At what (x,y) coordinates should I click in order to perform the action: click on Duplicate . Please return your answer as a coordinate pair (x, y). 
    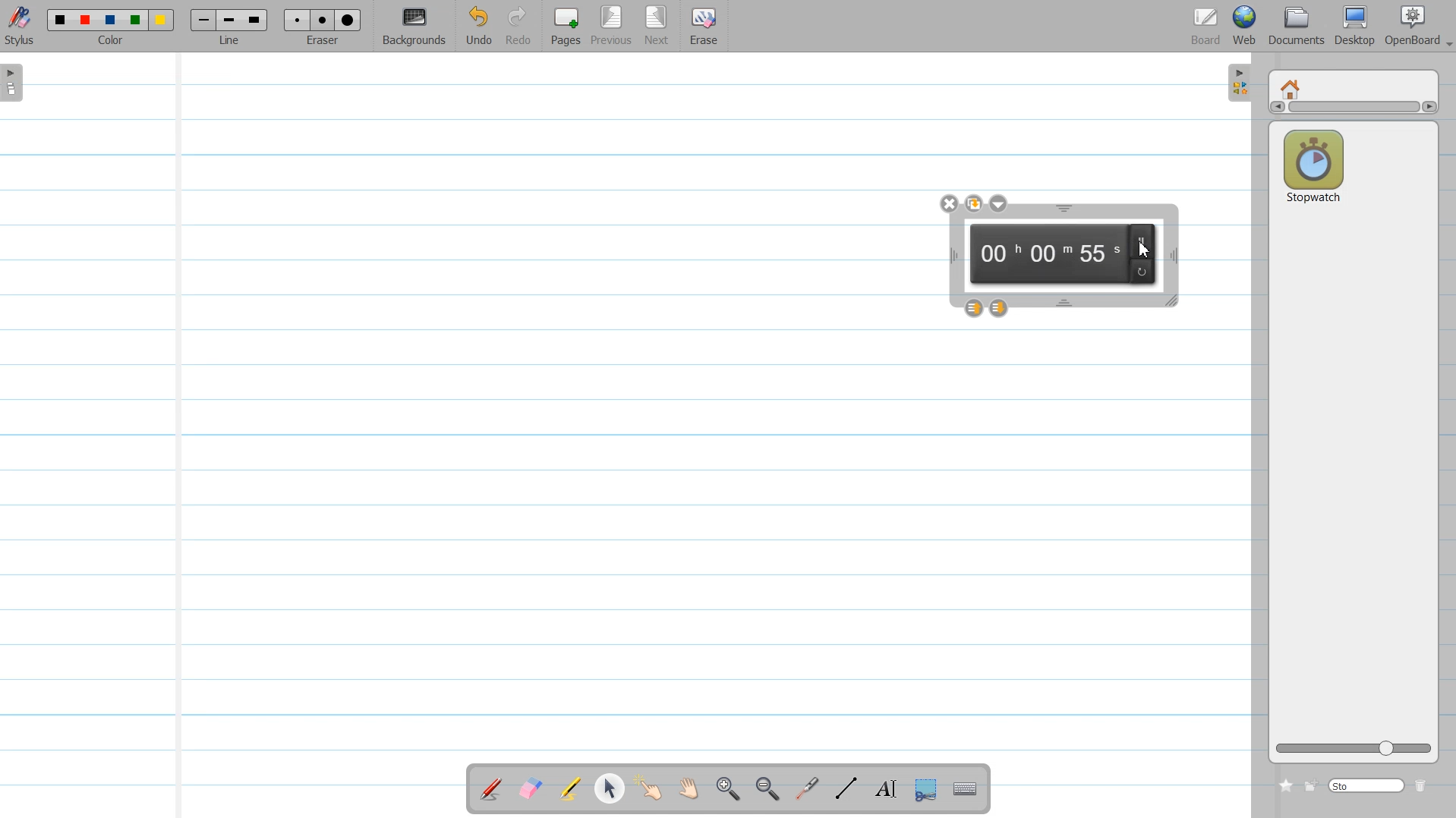
    Looking at the image, I should click on (975, 203).